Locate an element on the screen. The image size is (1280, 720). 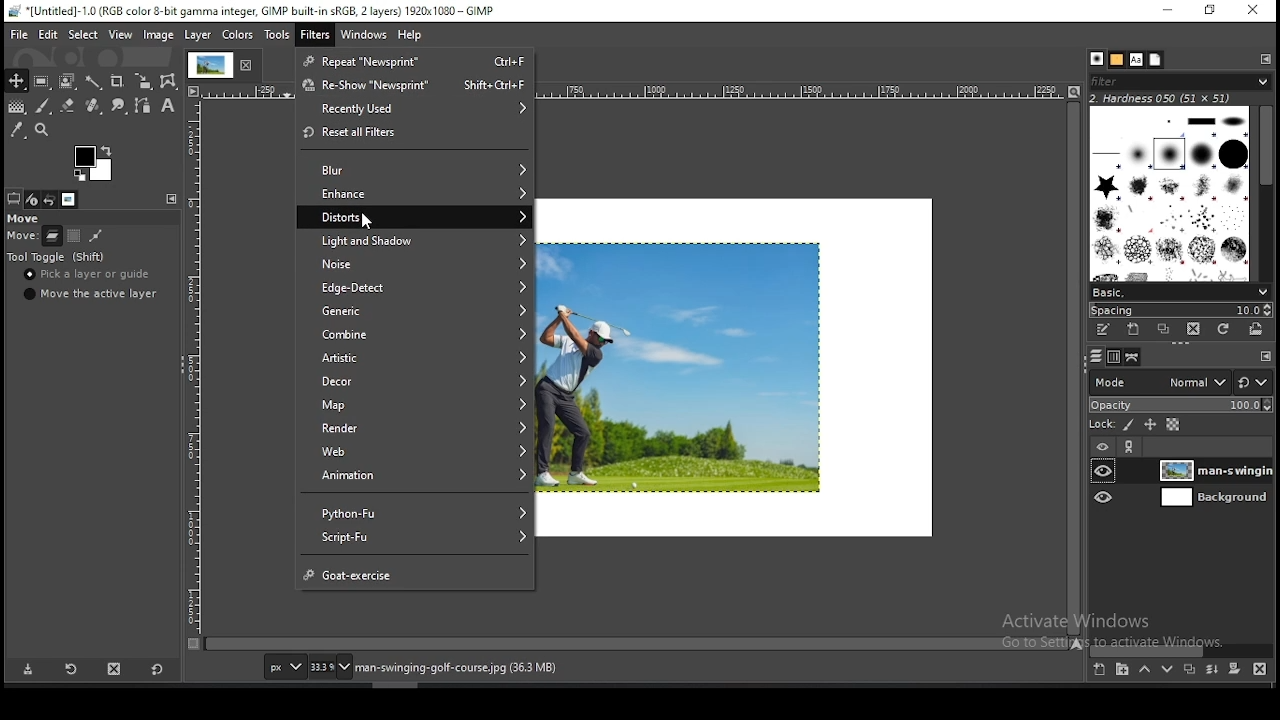
scroll bar is located at coordinates (1180, 649).